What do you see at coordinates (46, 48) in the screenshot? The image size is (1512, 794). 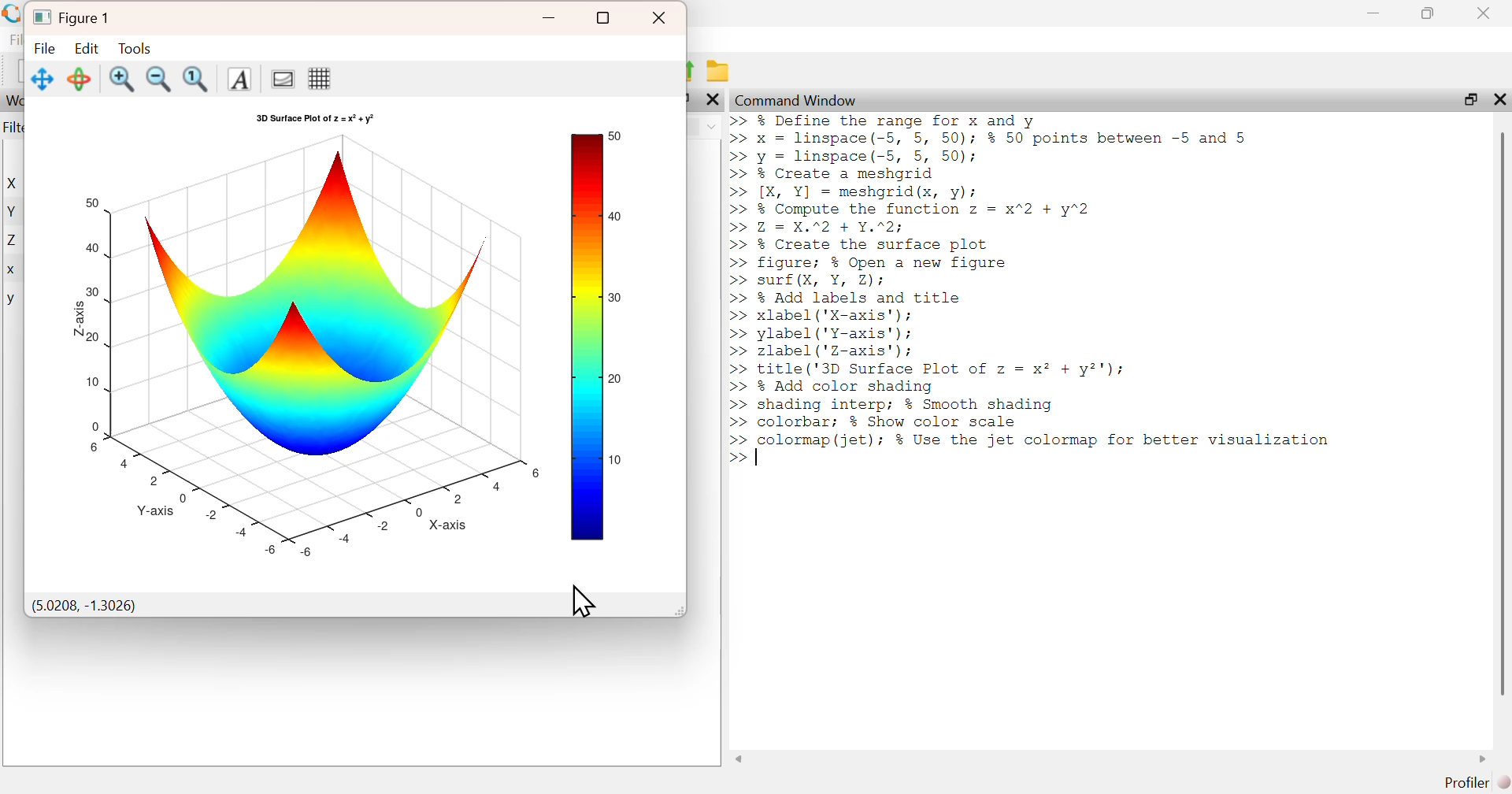 I see `File` at bounding box center [46, 48].